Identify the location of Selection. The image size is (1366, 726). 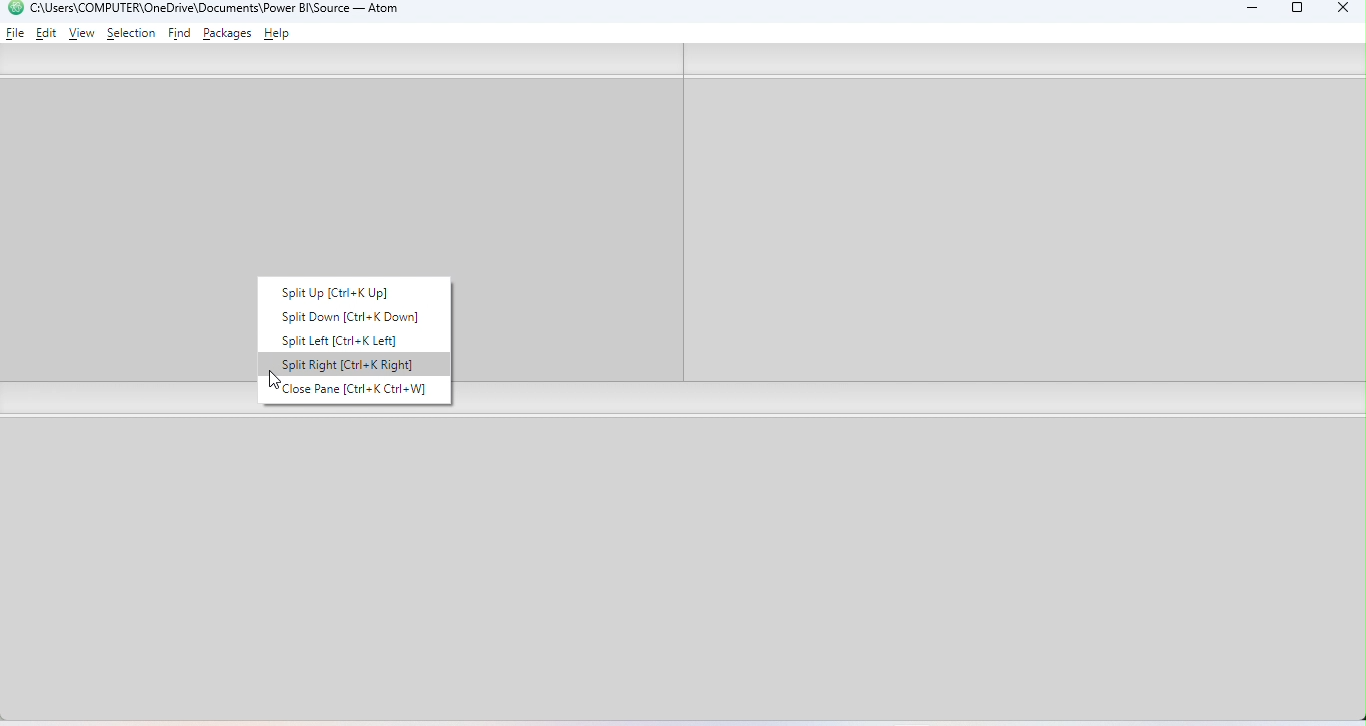
(131, 33).